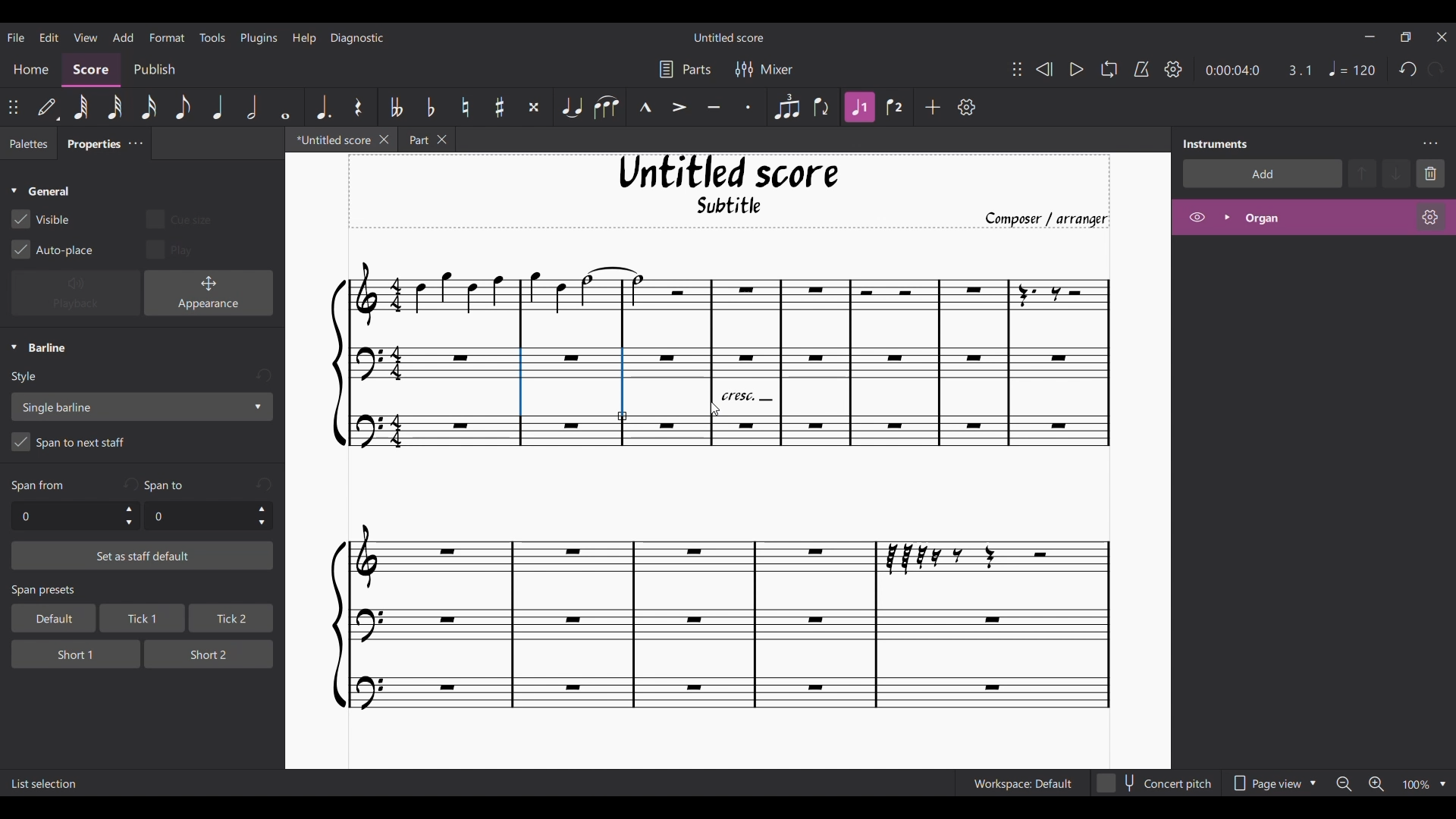 The height and width of the screenshot is (819, 1456). I want to click on Redo, so click(1436, 69).